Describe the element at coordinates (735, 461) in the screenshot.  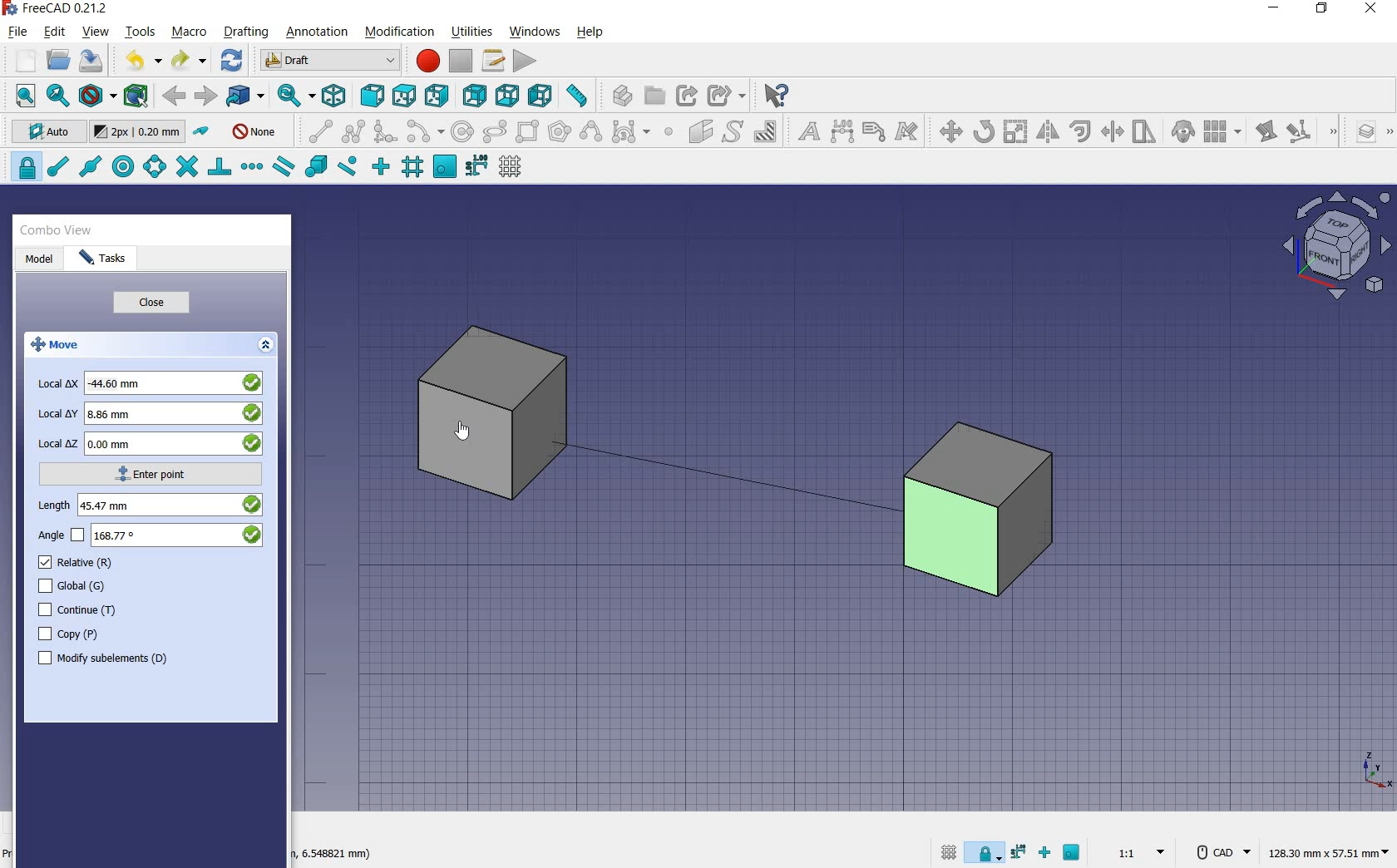
I see `moving cube from current position` at that location.